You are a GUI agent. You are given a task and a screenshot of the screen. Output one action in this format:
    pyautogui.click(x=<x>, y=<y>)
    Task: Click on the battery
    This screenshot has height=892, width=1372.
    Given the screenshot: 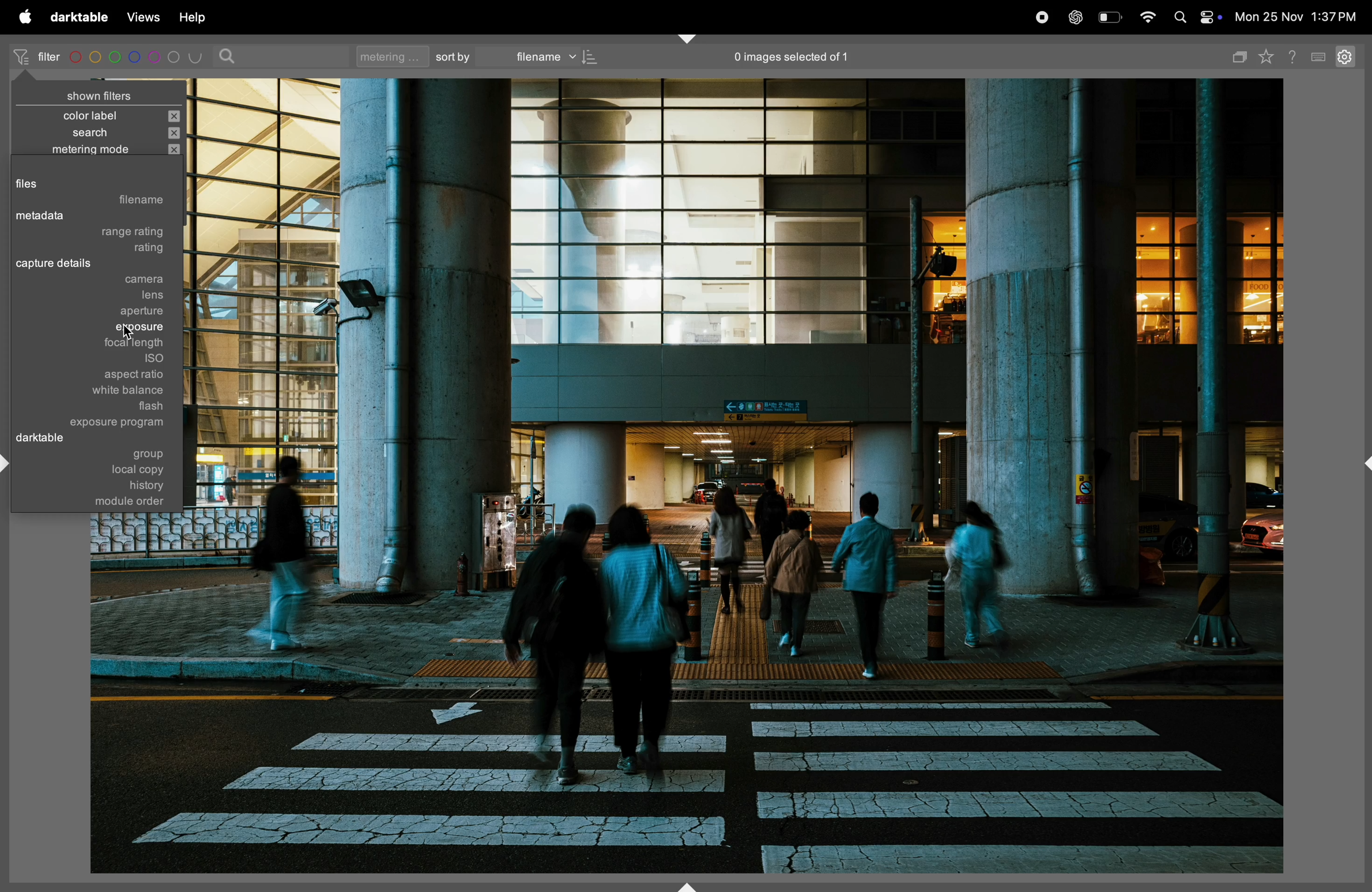 What is the action you would take?
    pyautogui.click(x=1111, y=16)
    